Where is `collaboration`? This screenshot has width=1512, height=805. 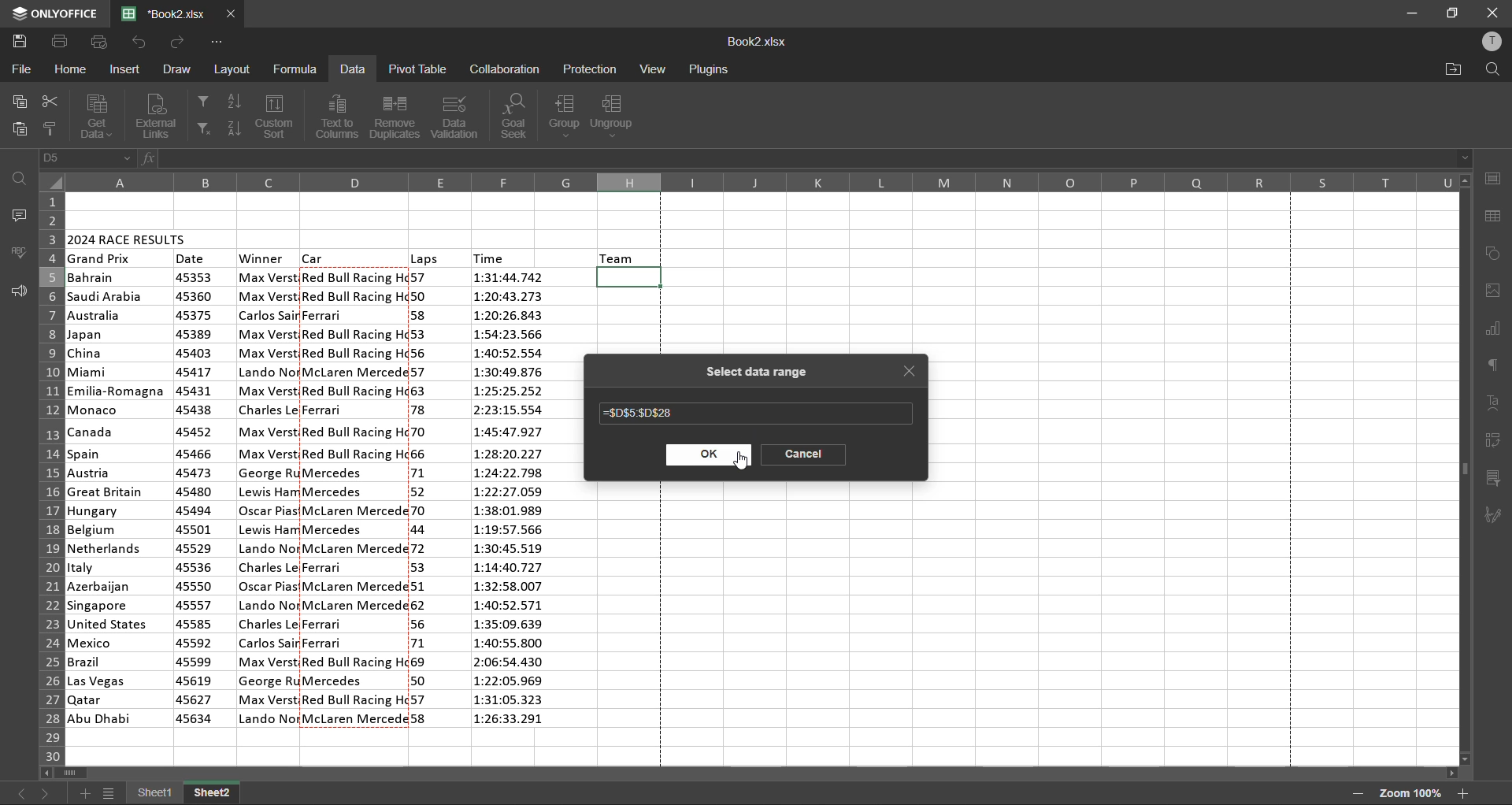
collaboration is located at coordinates (504, 69).